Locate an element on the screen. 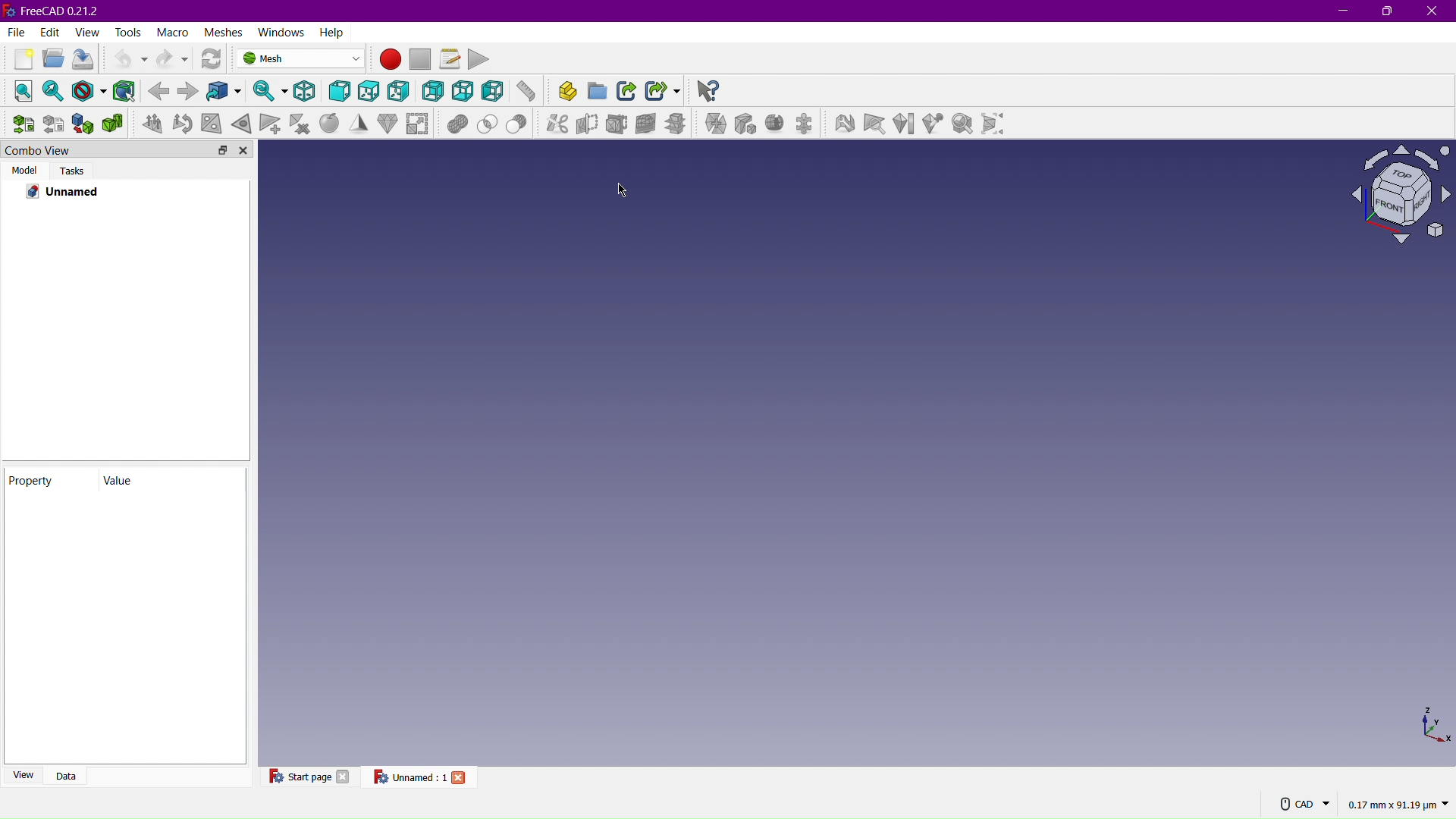 This screenshot has width=1456, height=819. Edit is located at coordinates (48, 32).